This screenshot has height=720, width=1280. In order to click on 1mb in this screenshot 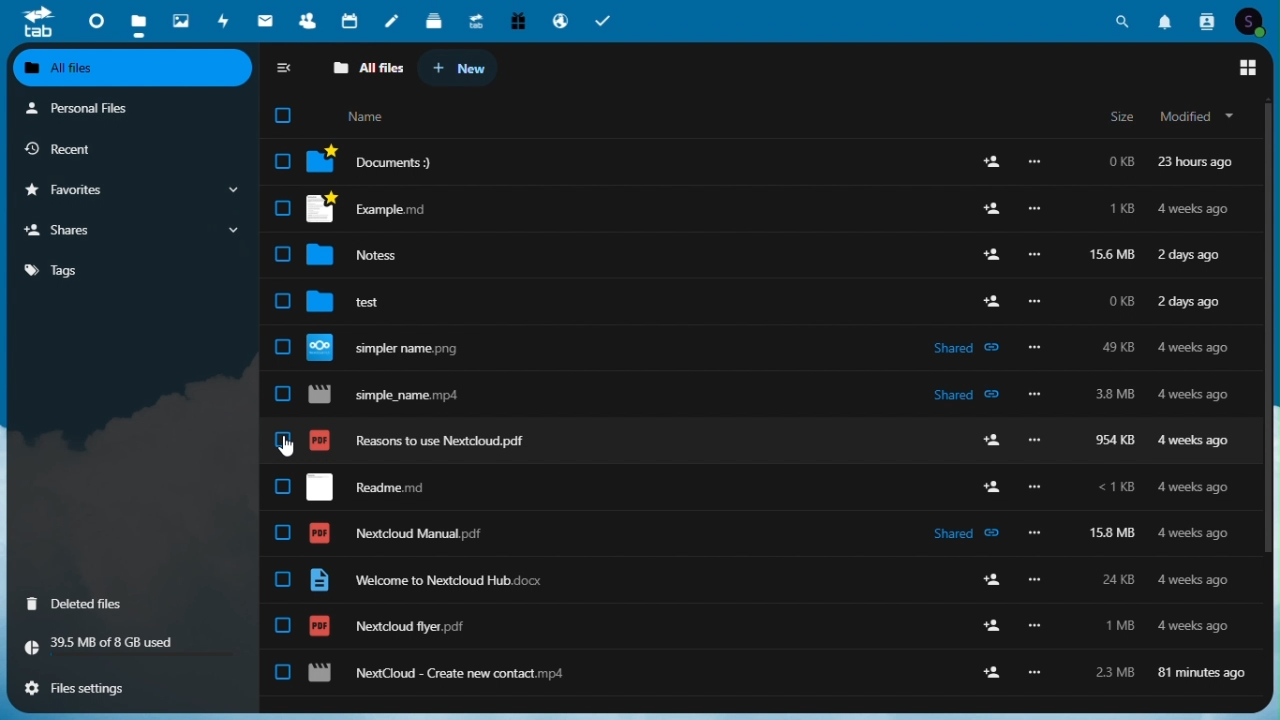, I will do `click(1122, 625)`.